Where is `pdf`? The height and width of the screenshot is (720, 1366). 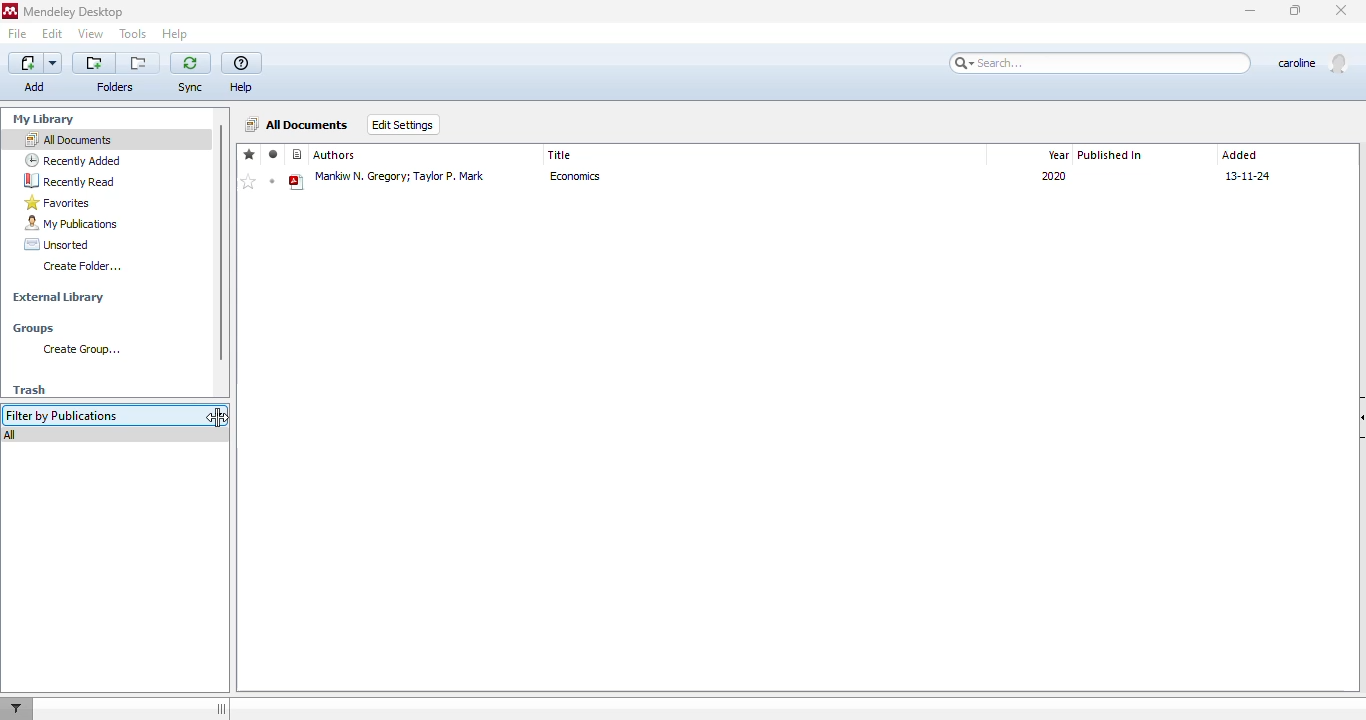
pdf is located at coordinates (297, 183).